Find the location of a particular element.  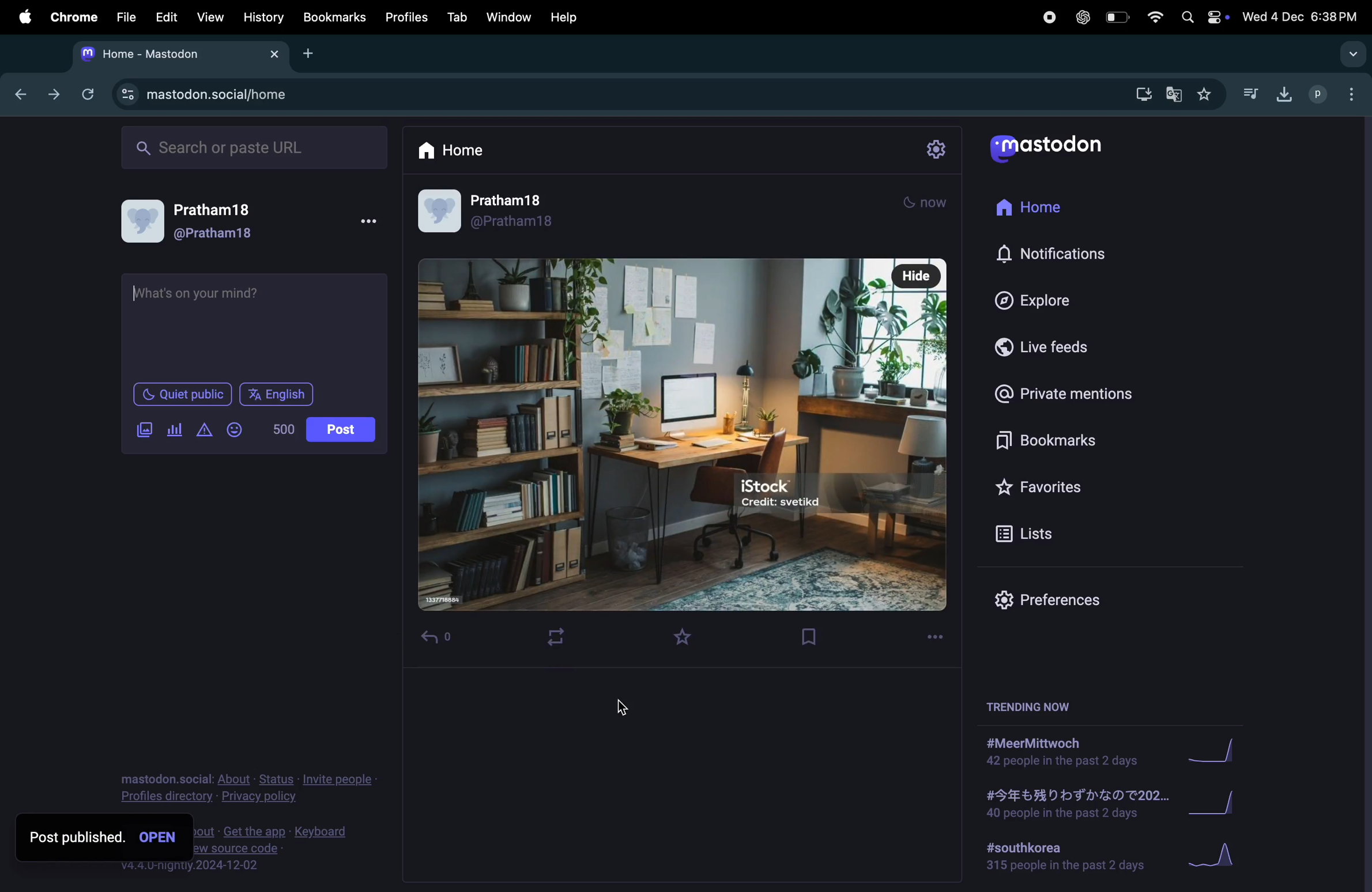

reply is located at coordinates (440, 637).